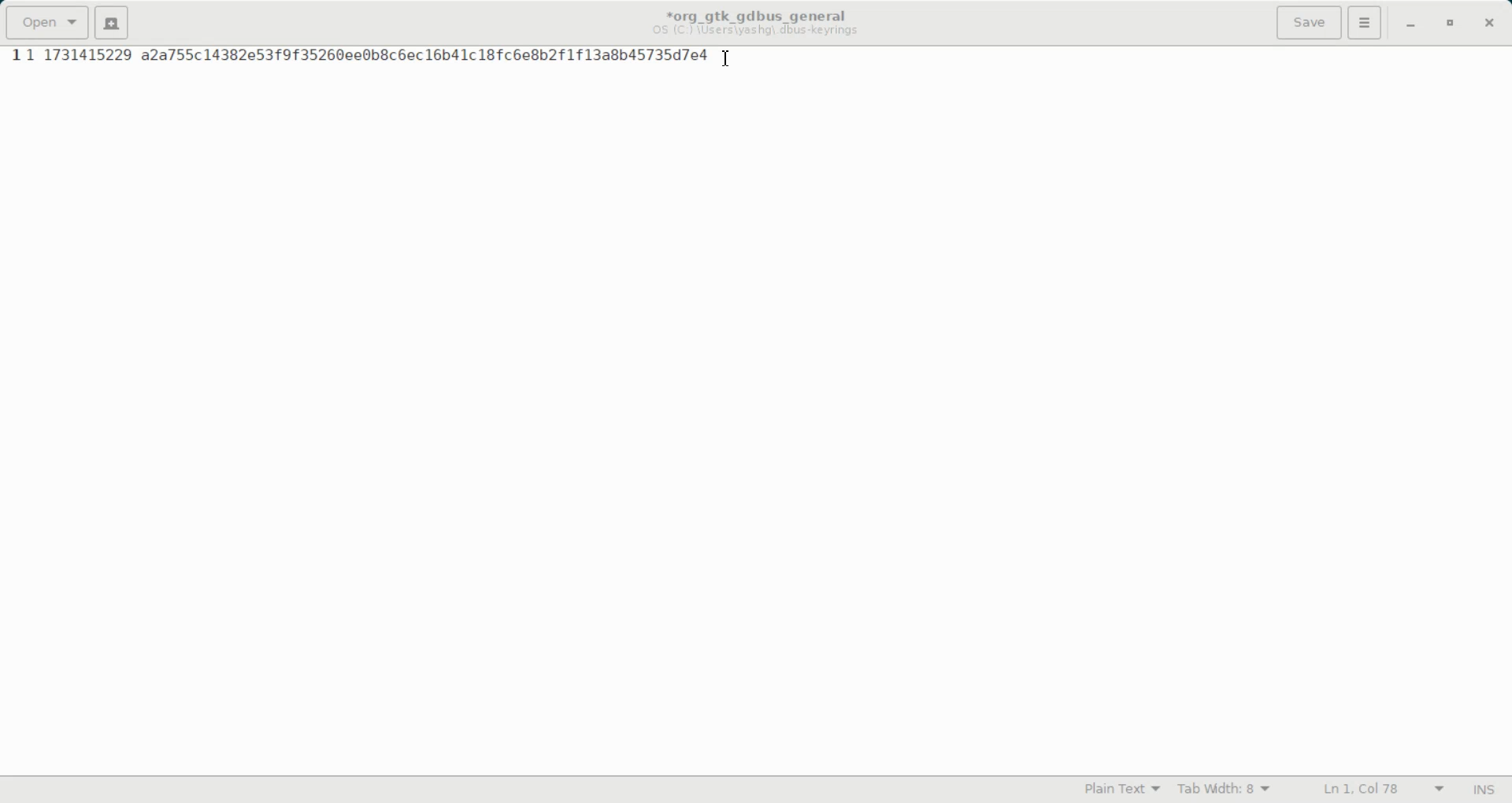 The image size is (1512, 803). What do you see at coordinates (14, 56) in the screenshot?
I see `Line Number` at bounding box center [14, 56].